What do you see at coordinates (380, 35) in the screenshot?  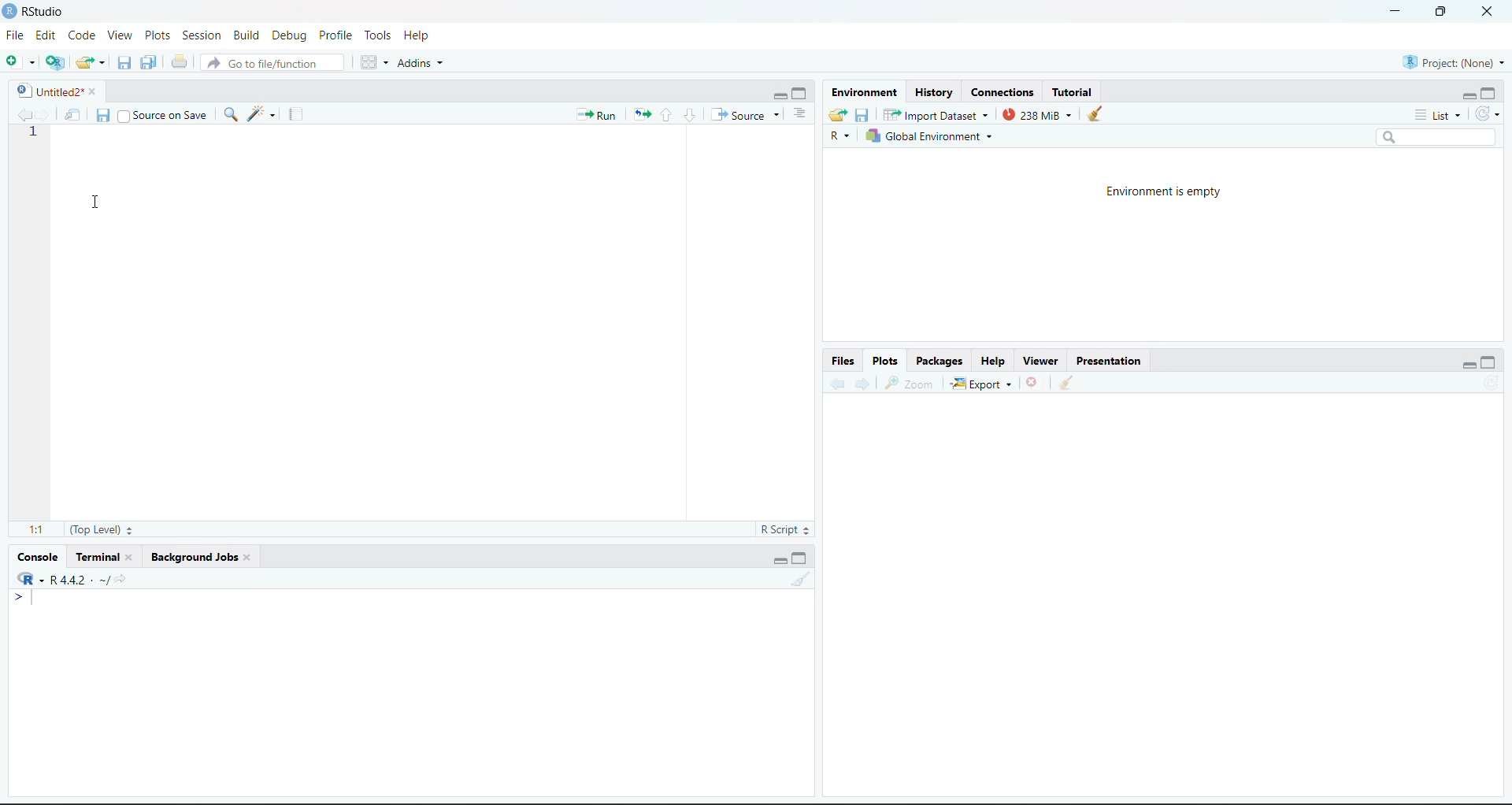 I see `Tools` at bounding box center [380, 35].